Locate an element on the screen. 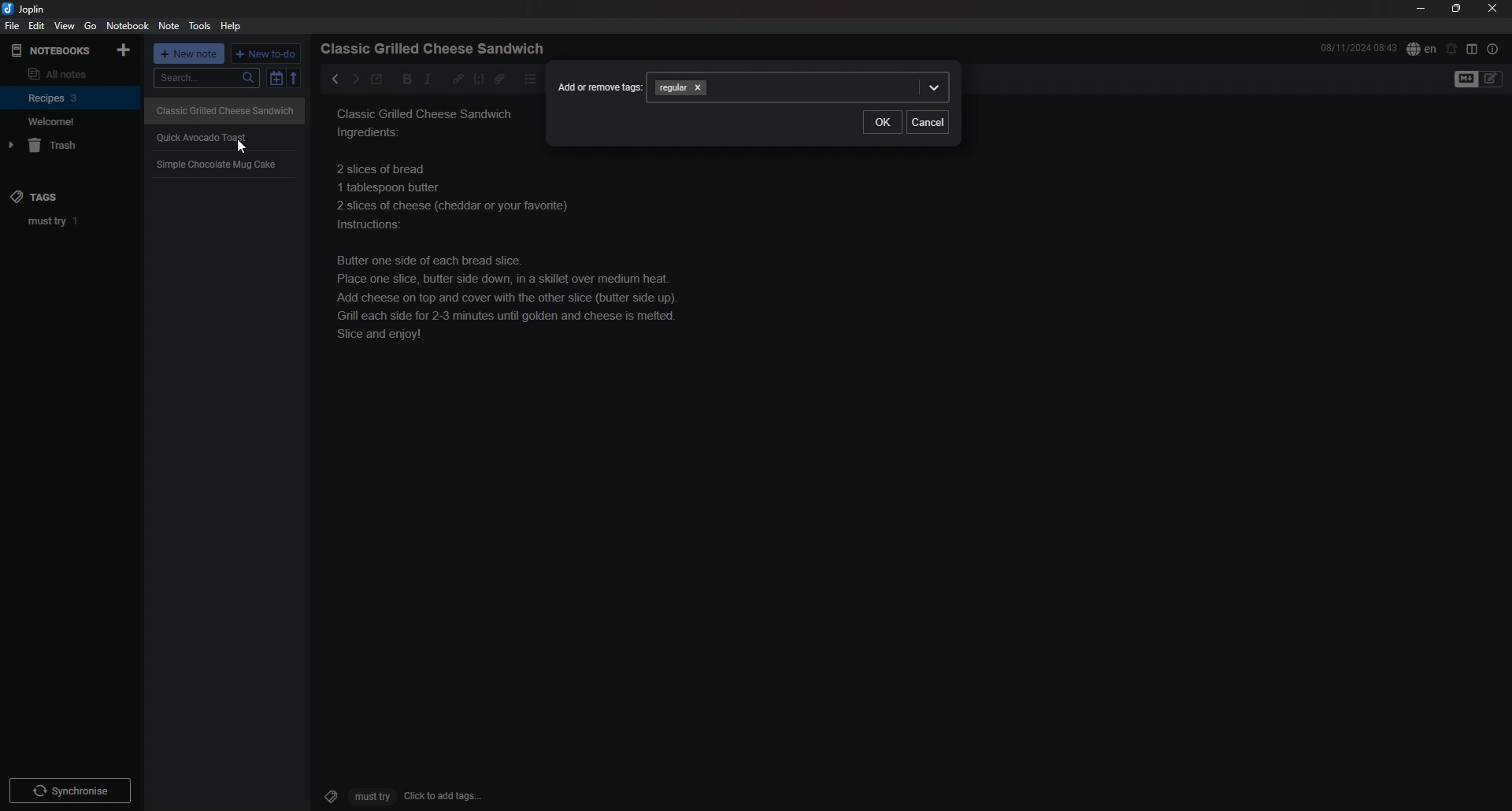 Image resolution: width=1512 pixels, height=811 pixels. time is located at coordinates (1358, 47).